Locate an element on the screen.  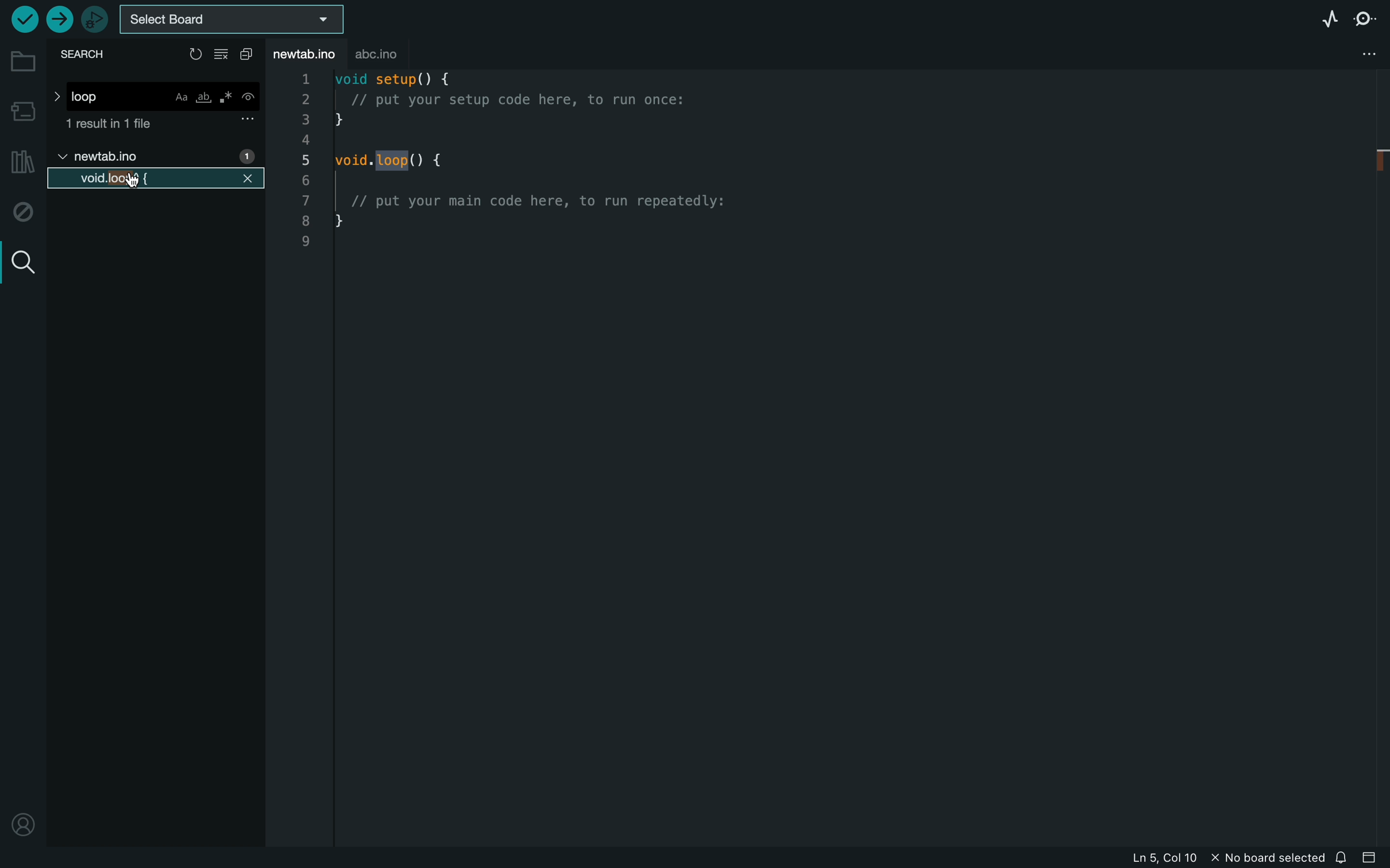
serial plotter is located at coordinates (1315, 17).